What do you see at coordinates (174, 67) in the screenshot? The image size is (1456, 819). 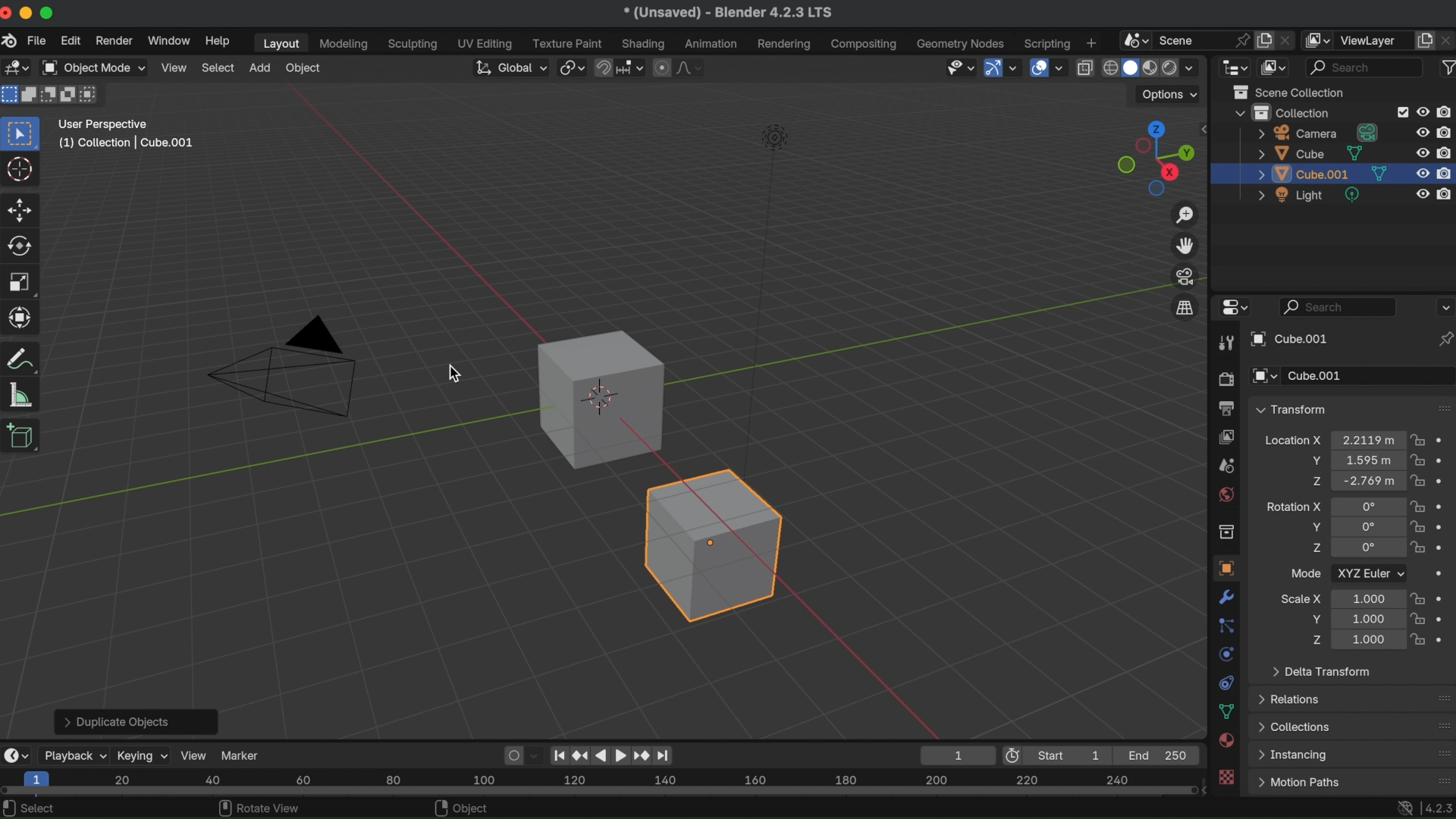 I see `view` at bounding box center [174, 67].